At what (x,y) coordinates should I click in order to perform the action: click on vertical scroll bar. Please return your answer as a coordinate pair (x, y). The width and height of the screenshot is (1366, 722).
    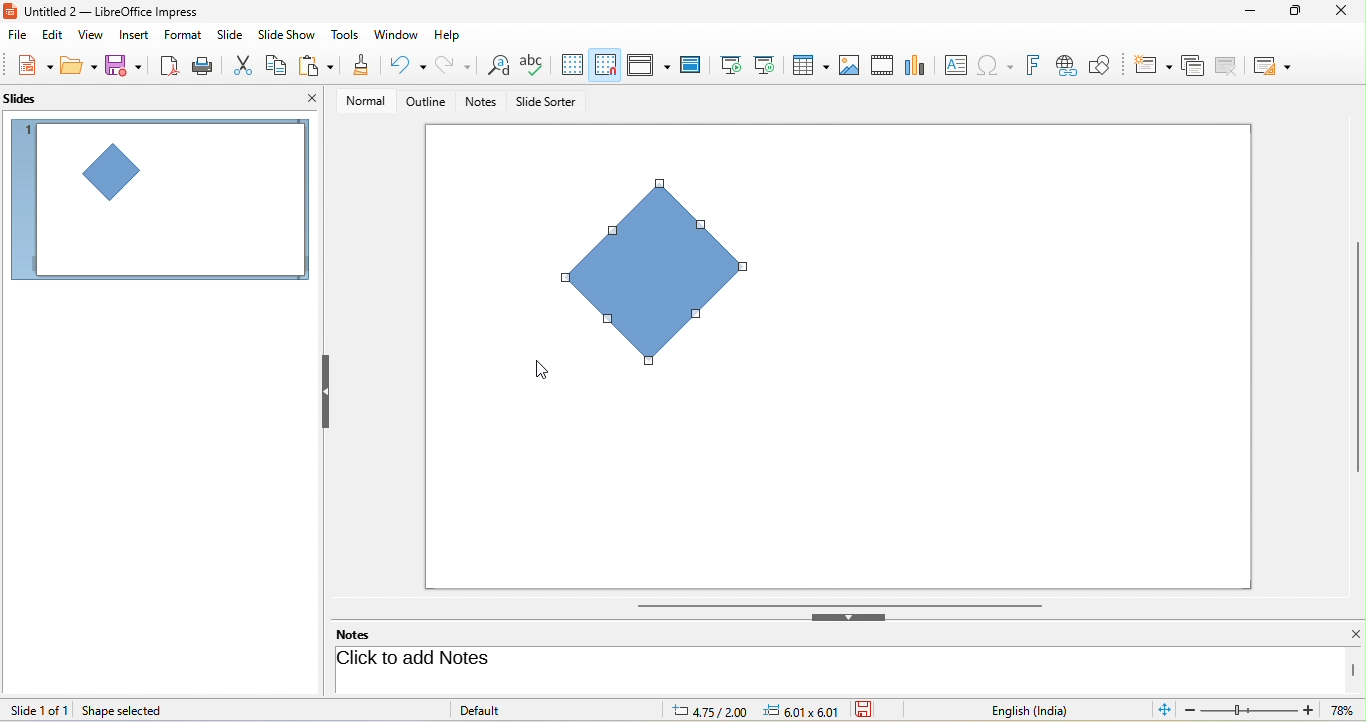
    Looking at the image, I should click on (1357, 357).